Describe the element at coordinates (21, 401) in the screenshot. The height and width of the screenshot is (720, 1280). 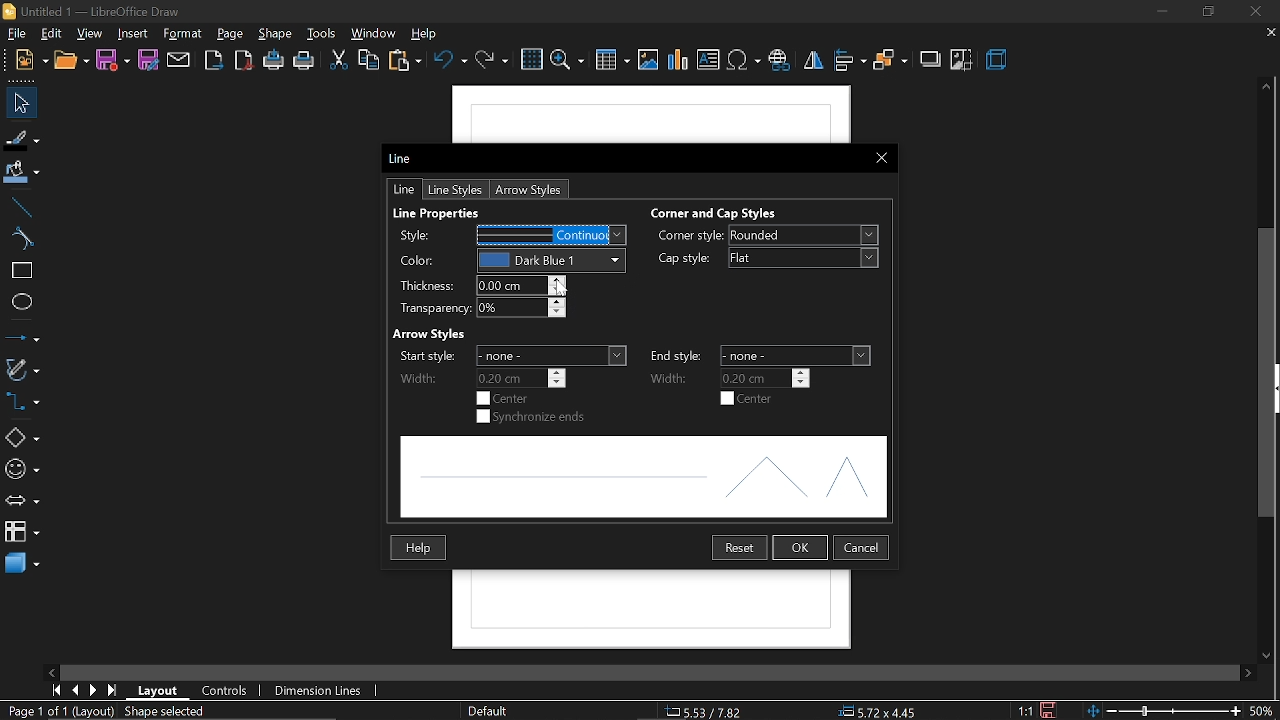
I see `connectors` at that location.